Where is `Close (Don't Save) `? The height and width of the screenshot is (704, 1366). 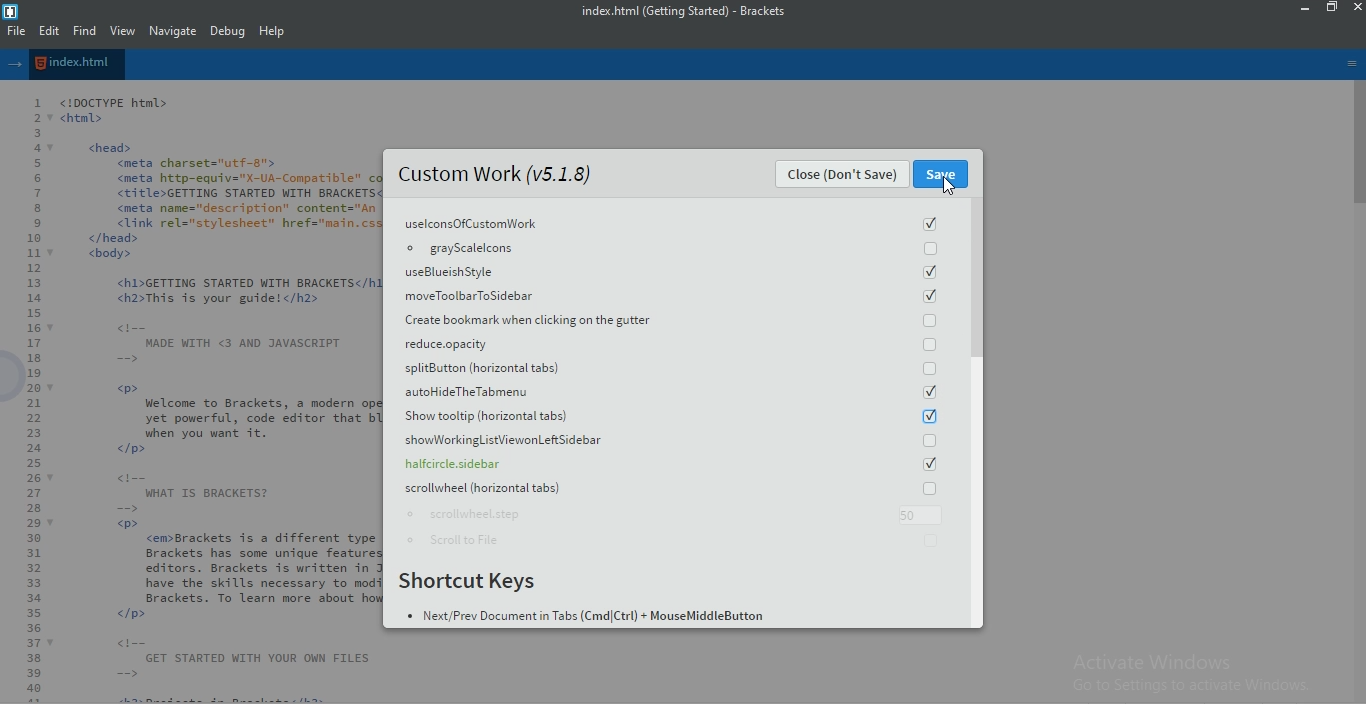
Close (Don't Save)  is located at coordinates (841, 174).